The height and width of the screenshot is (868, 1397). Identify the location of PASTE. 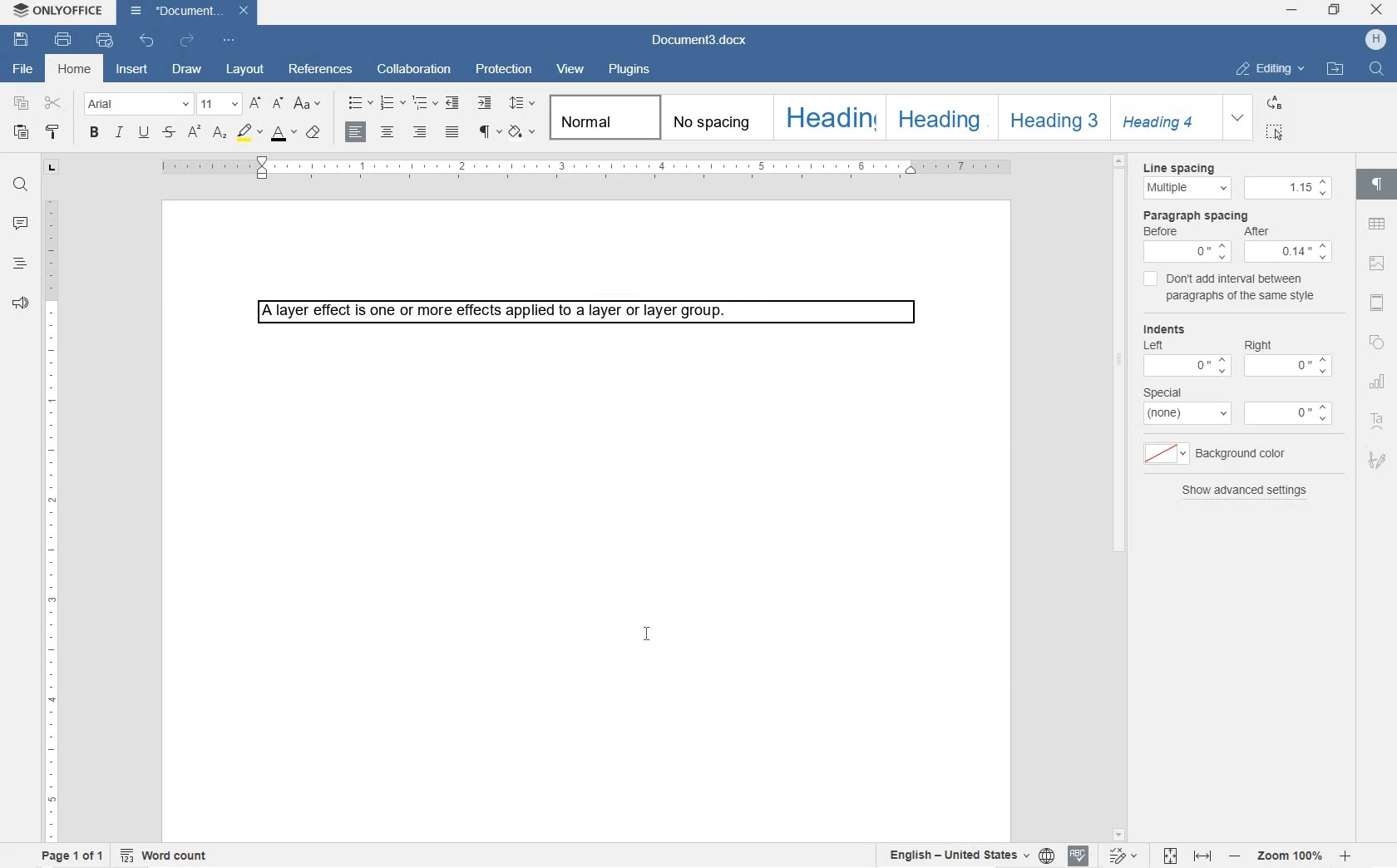
(21, 132).